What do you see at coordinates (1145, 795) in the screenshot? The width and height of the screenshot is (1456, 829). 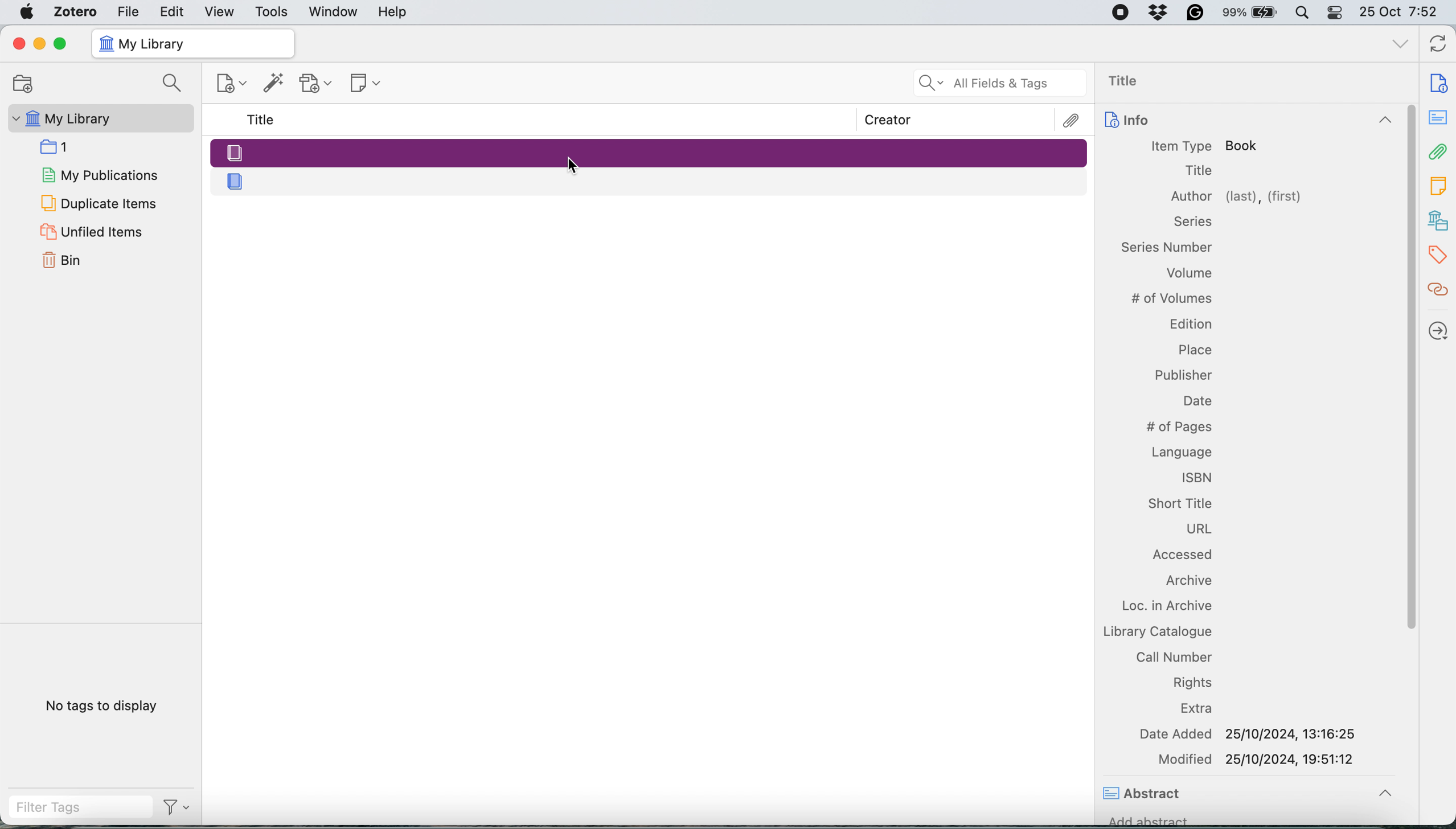 I see `Abstract` at bounding box center [1145, 795].